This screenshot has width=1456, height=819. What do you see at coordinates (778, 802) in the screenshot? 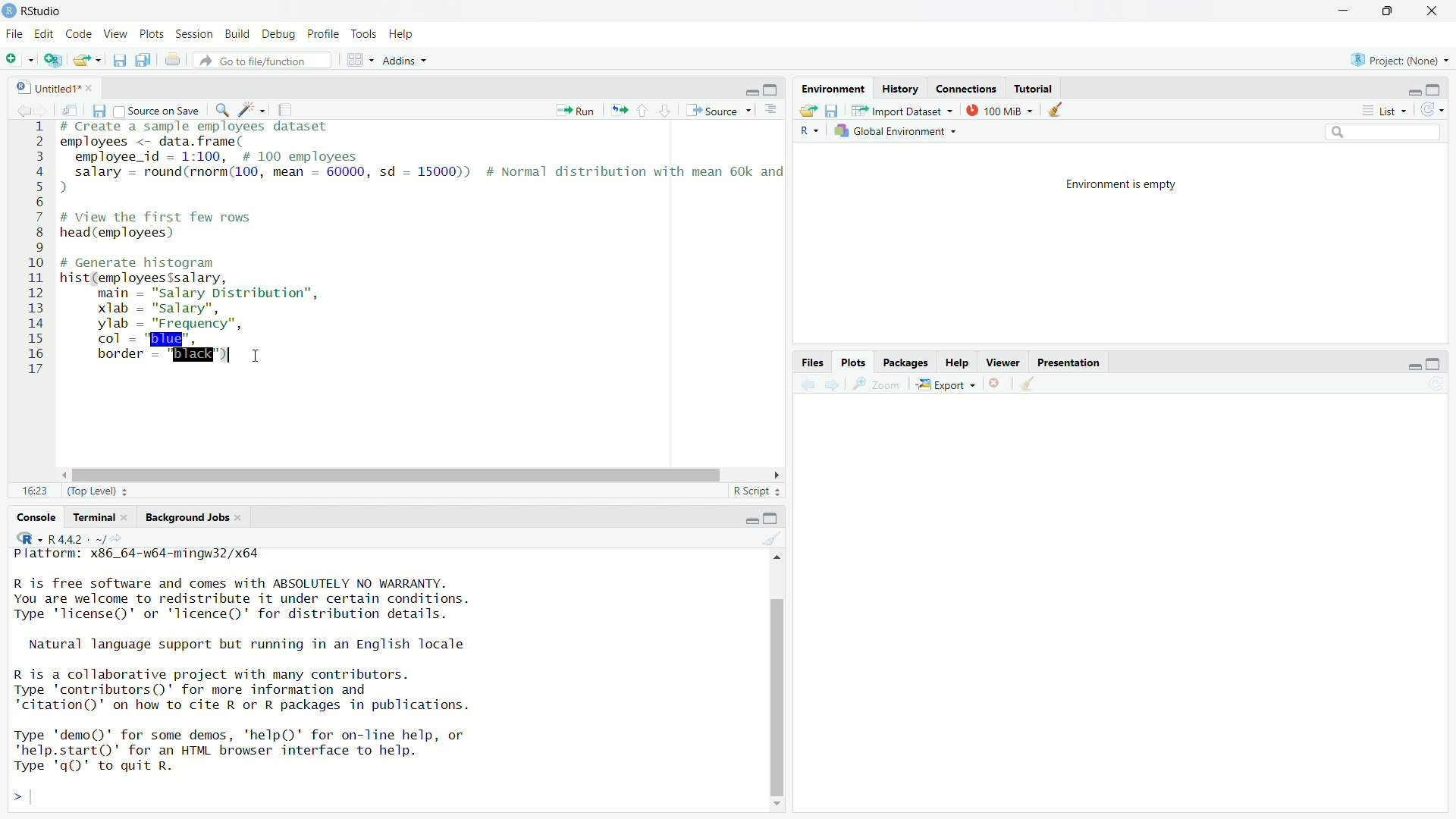
I see `scroll down` at bounding box center [778, 802].